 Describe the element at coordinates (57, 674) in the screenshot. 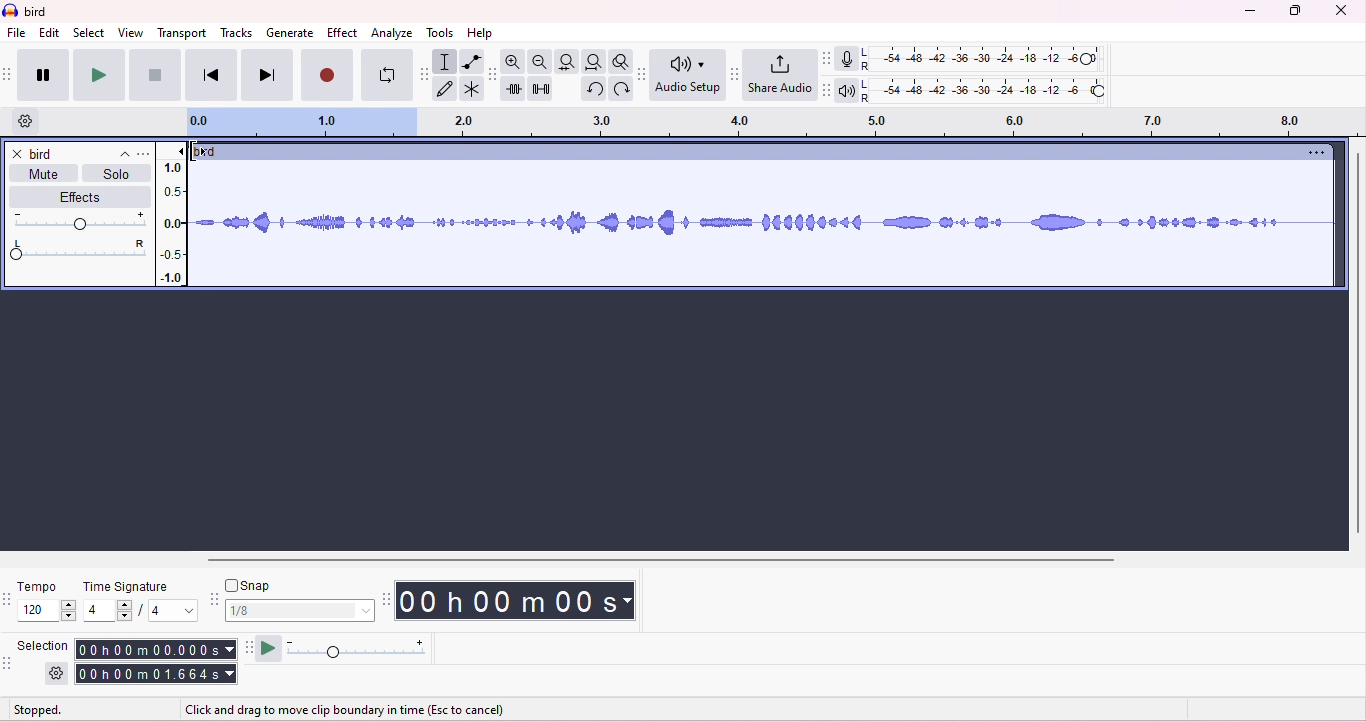

I see `selection options` at that location.